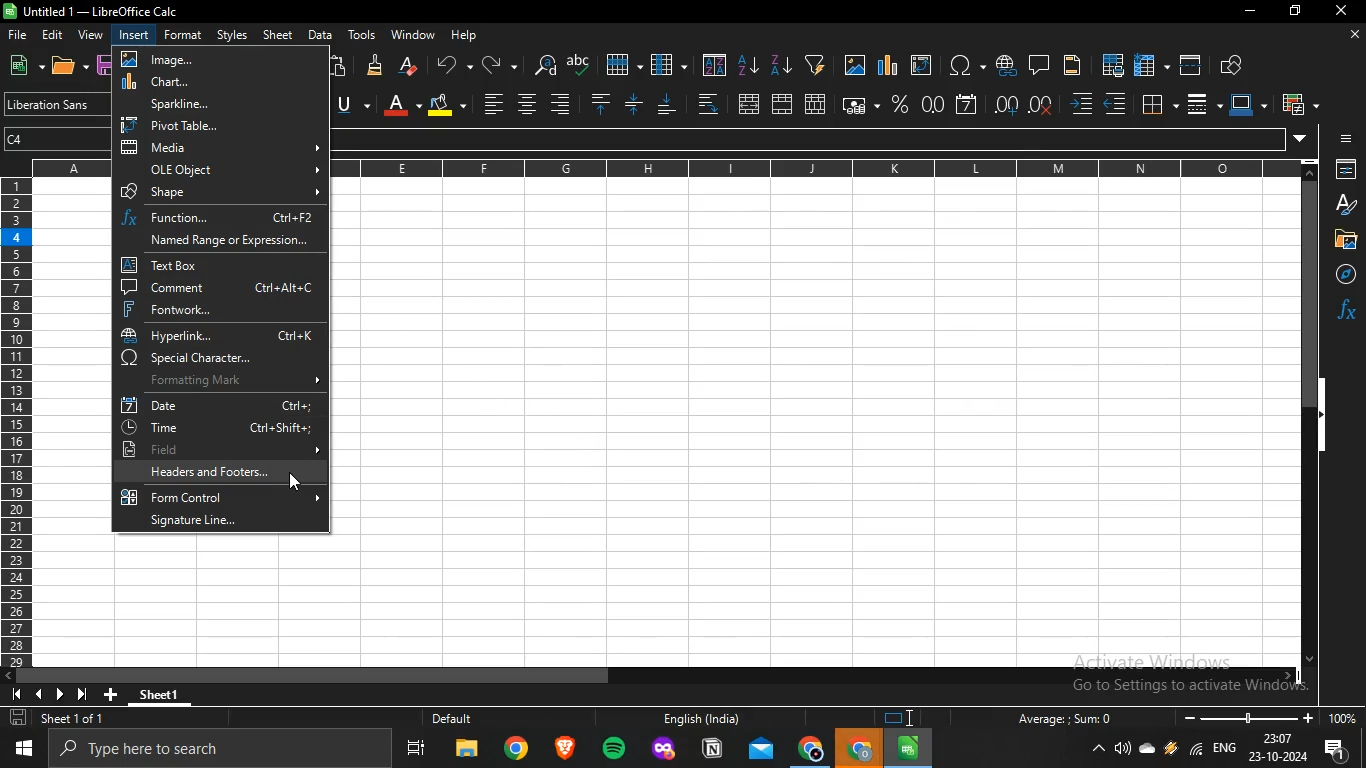 The width and height of the screenshot is (1366, 768). Describe the element at coordinates (516, 751) in the screenshot. I see `google chrome` at that location.